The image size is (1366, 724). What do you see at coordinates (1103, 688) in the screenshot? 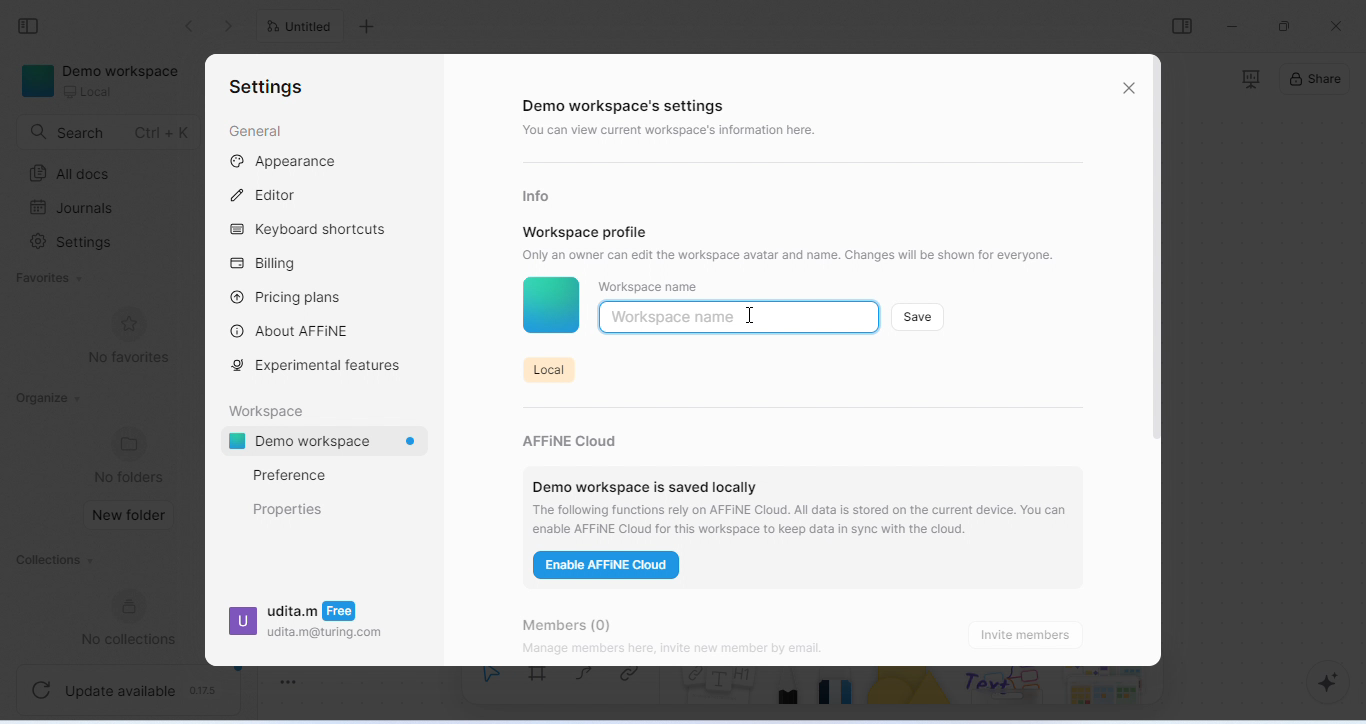
I see `arrows and more` at bounding box center [1103, 688].